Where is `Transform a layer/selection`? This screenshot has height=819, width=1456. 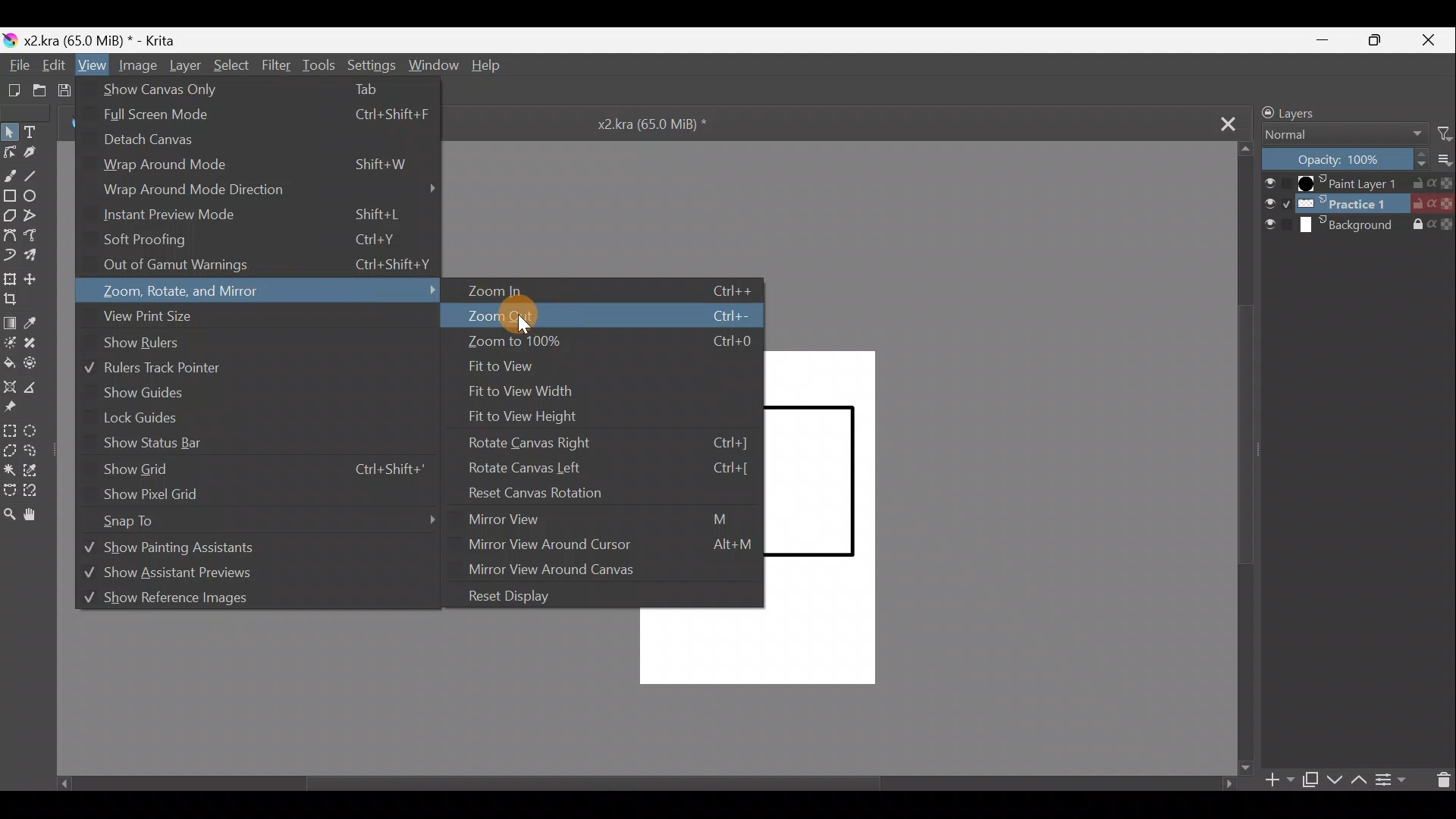
Transform a layer/selection is located at coordinates (11, 280).